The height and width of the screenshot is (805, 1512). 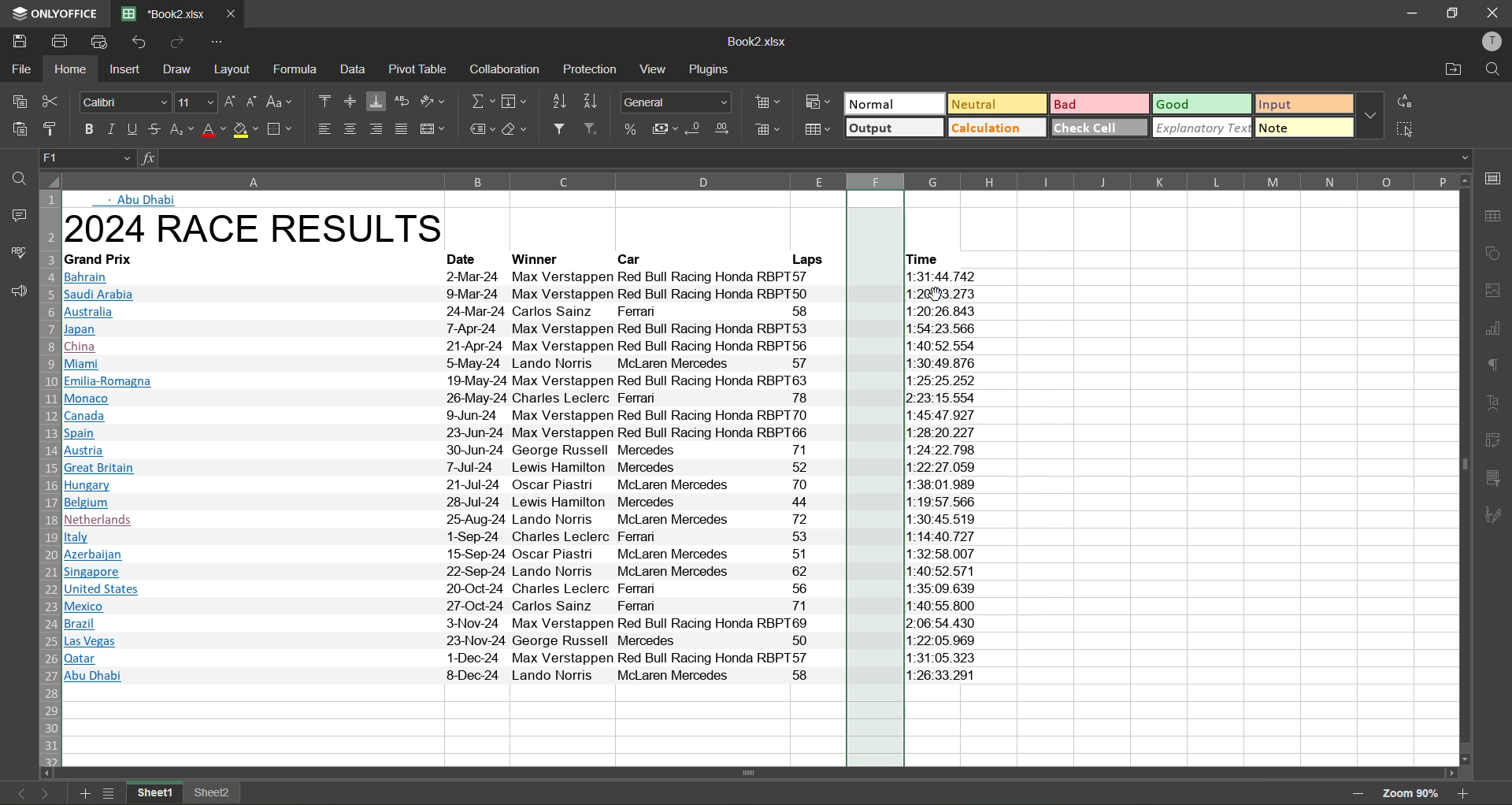 What do you see at coordinates (935, 259) in the screenshot?
I see `Time` at bounding box center [935, 259].